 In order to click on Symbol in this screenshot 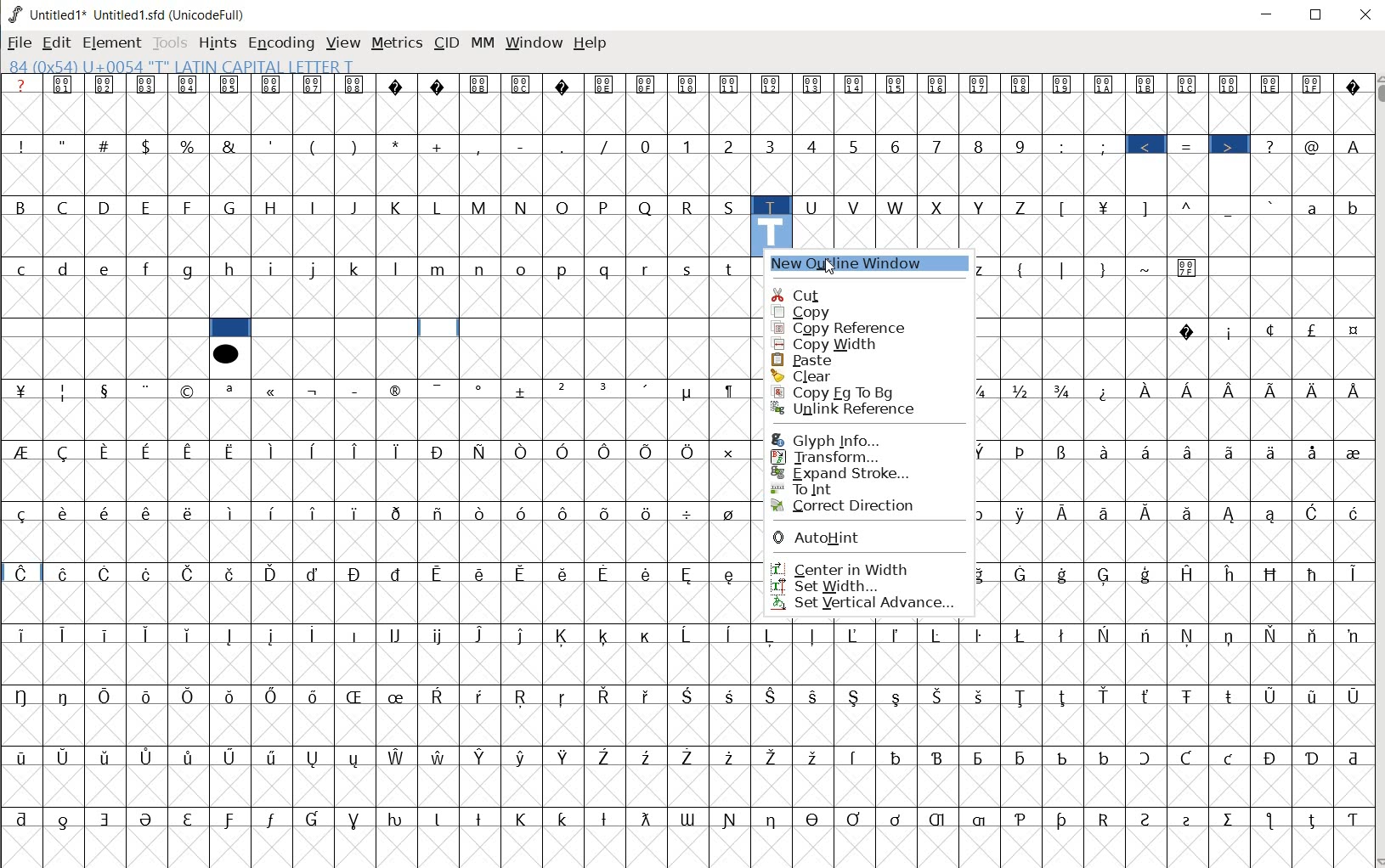, I will do `click(565, 572)`.